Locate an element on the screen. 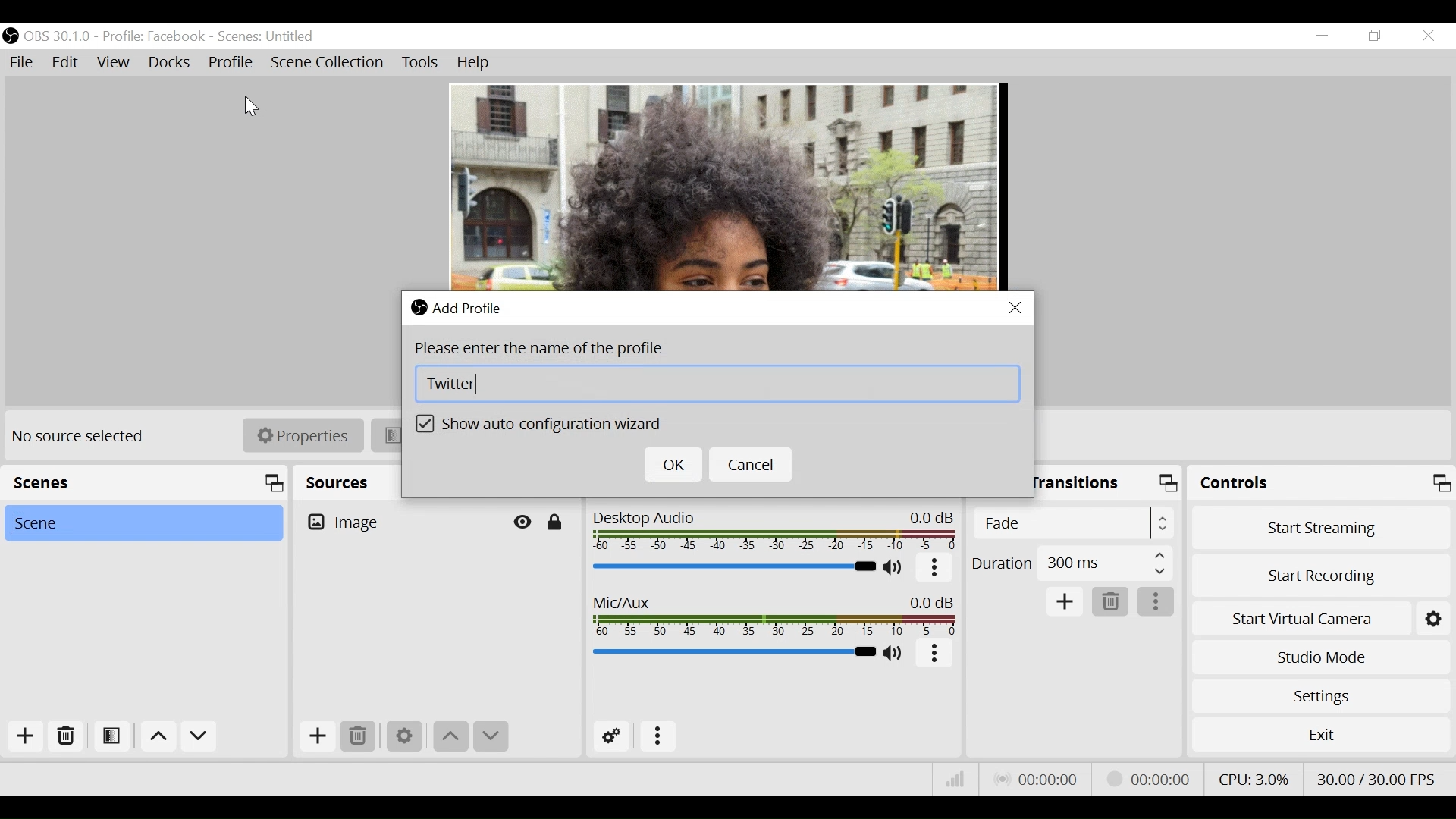 The width and height of the screenshot is (1456, 819). Select Scene Transition is located at coordinates (1076, 522).